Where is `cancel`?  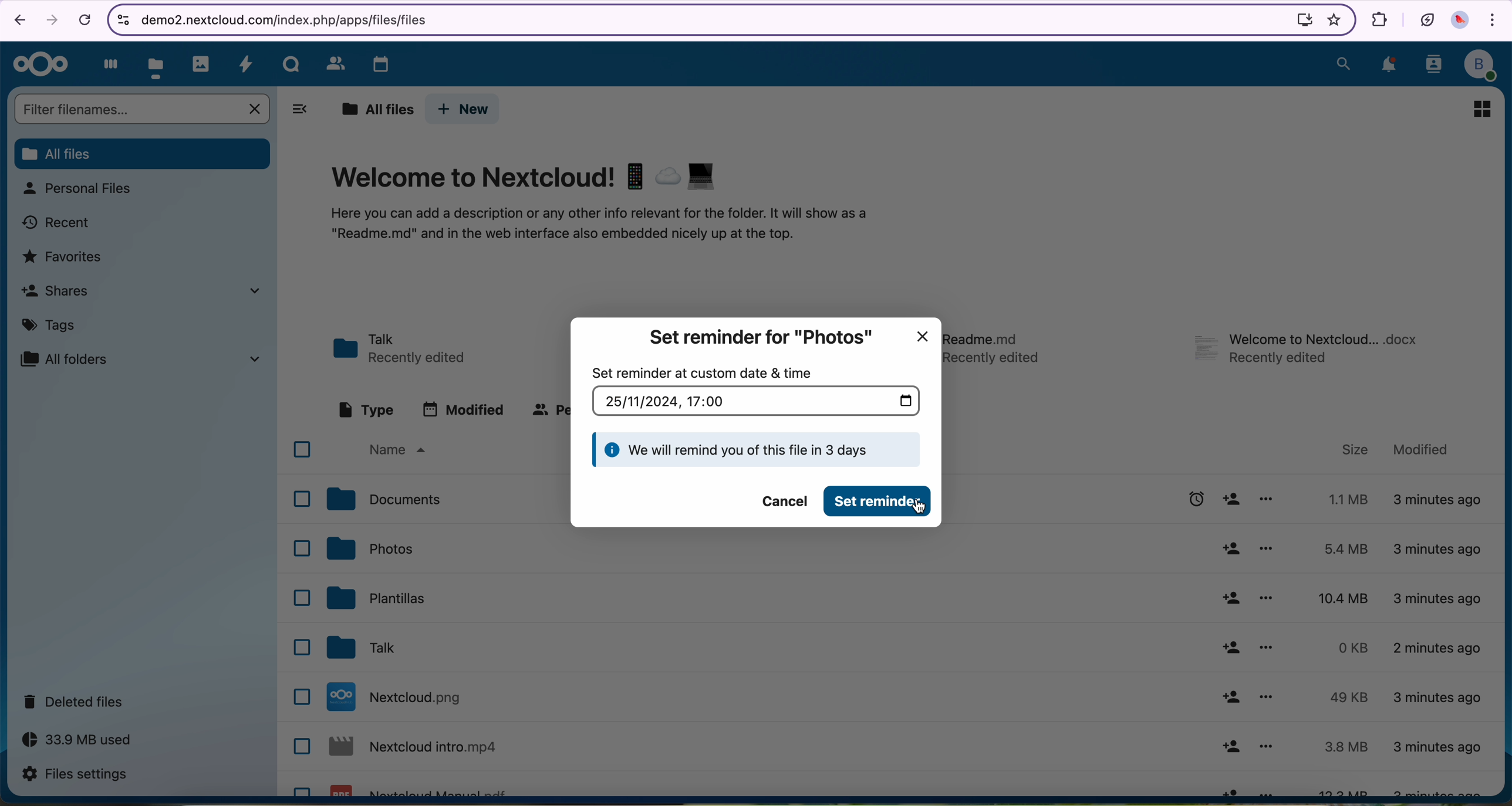 cancel is located at coordinates (84, 21).